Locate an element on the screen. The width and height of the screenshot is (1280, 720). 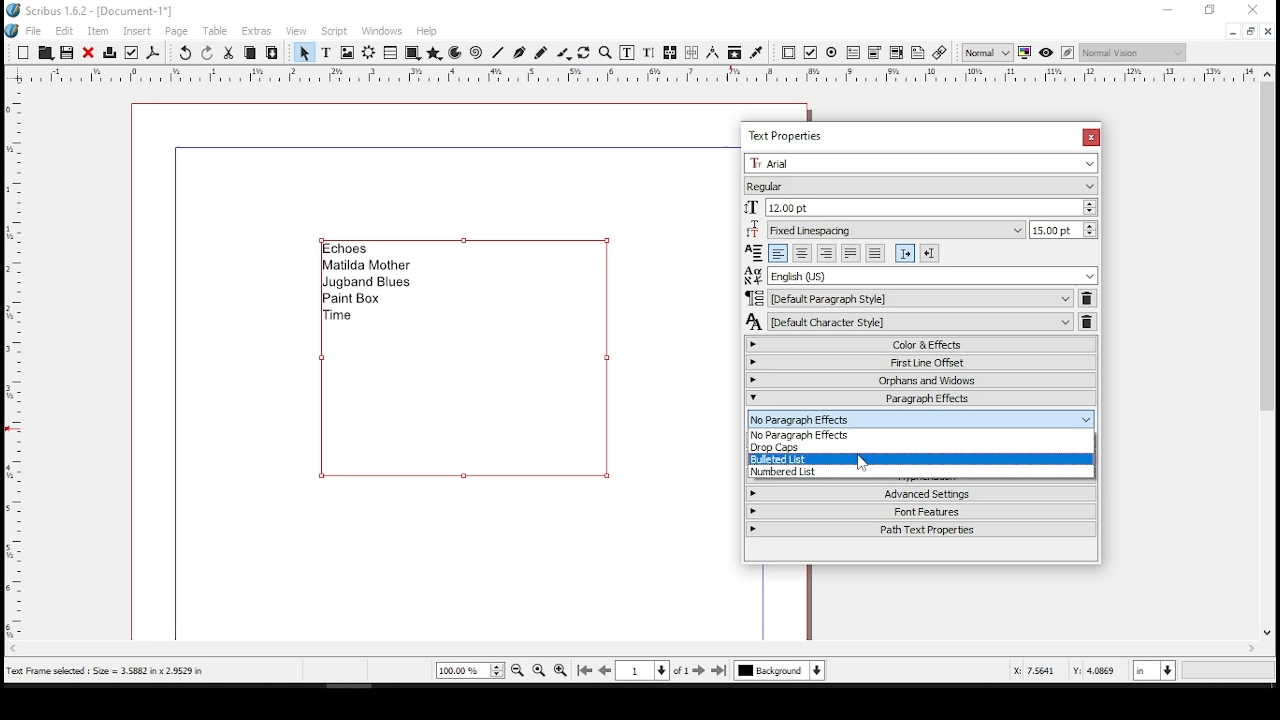
arc is located at coordinates (456, 53).